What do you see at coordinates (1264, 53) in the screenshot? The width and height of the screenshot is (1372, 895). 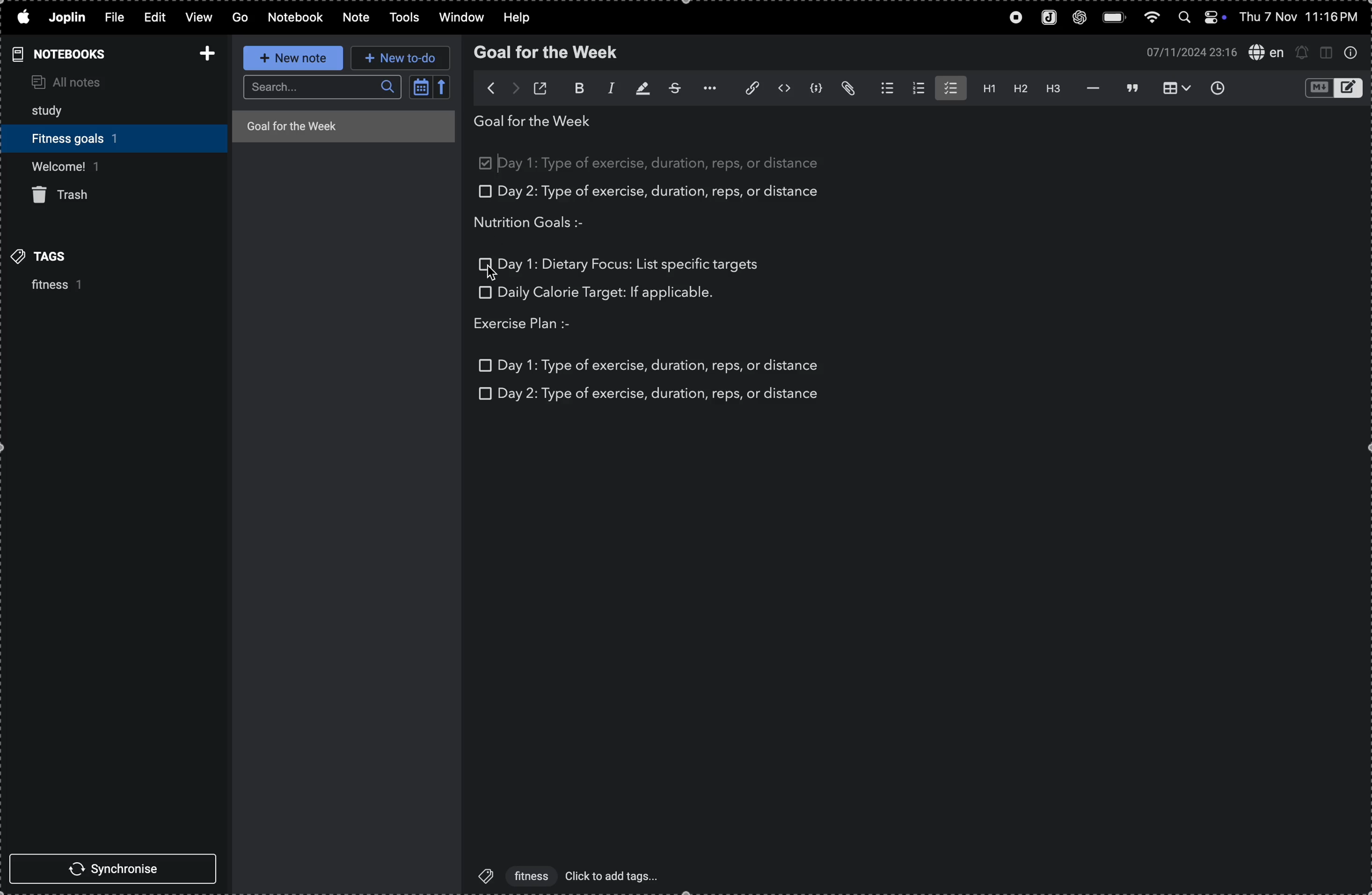 I see `spell check` at bounding box center [1264, 53].